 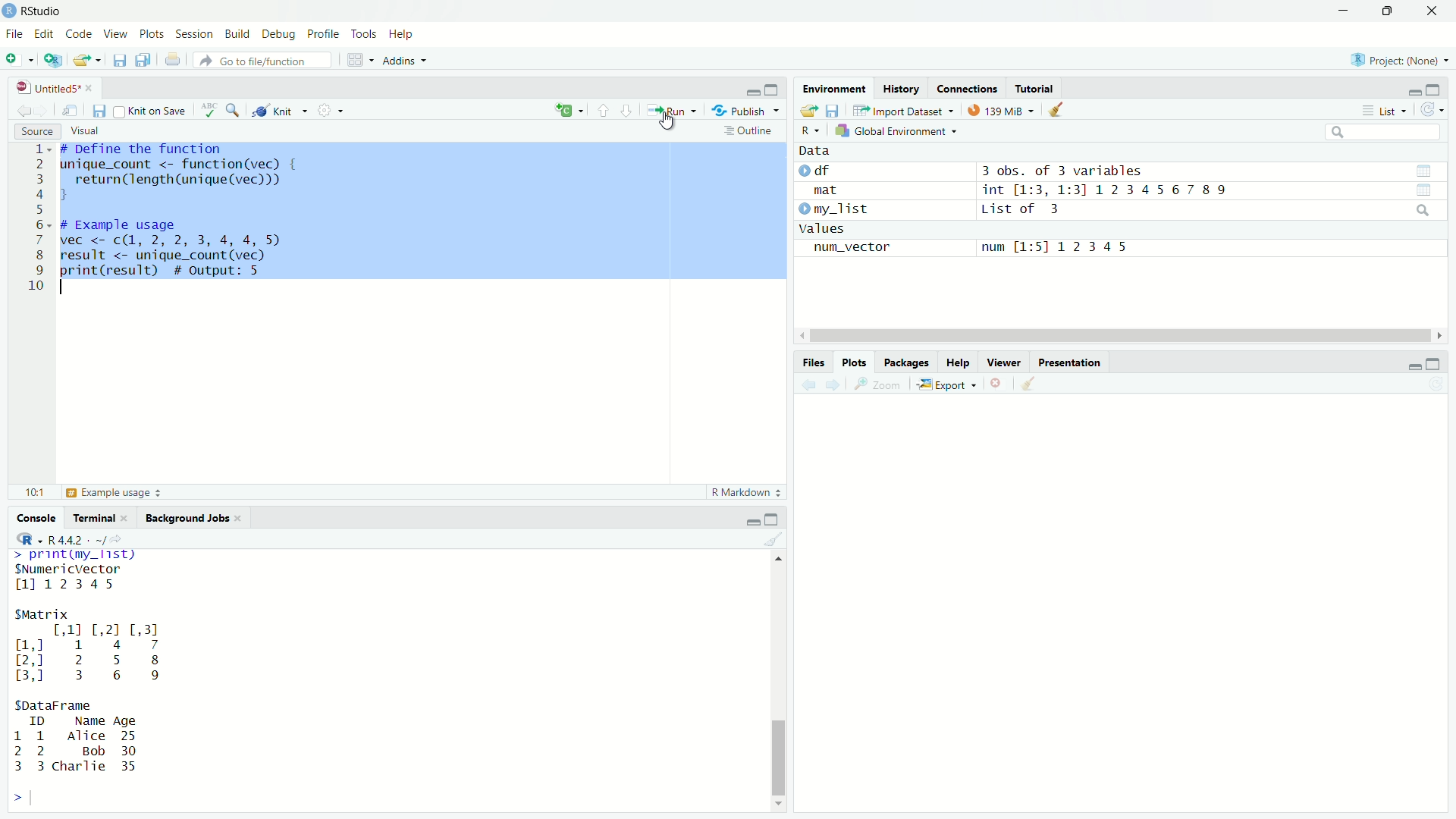 What do you see at coordinates (13, 58) in the screenshot?
I see `new file` at bounding box center [13, 58].